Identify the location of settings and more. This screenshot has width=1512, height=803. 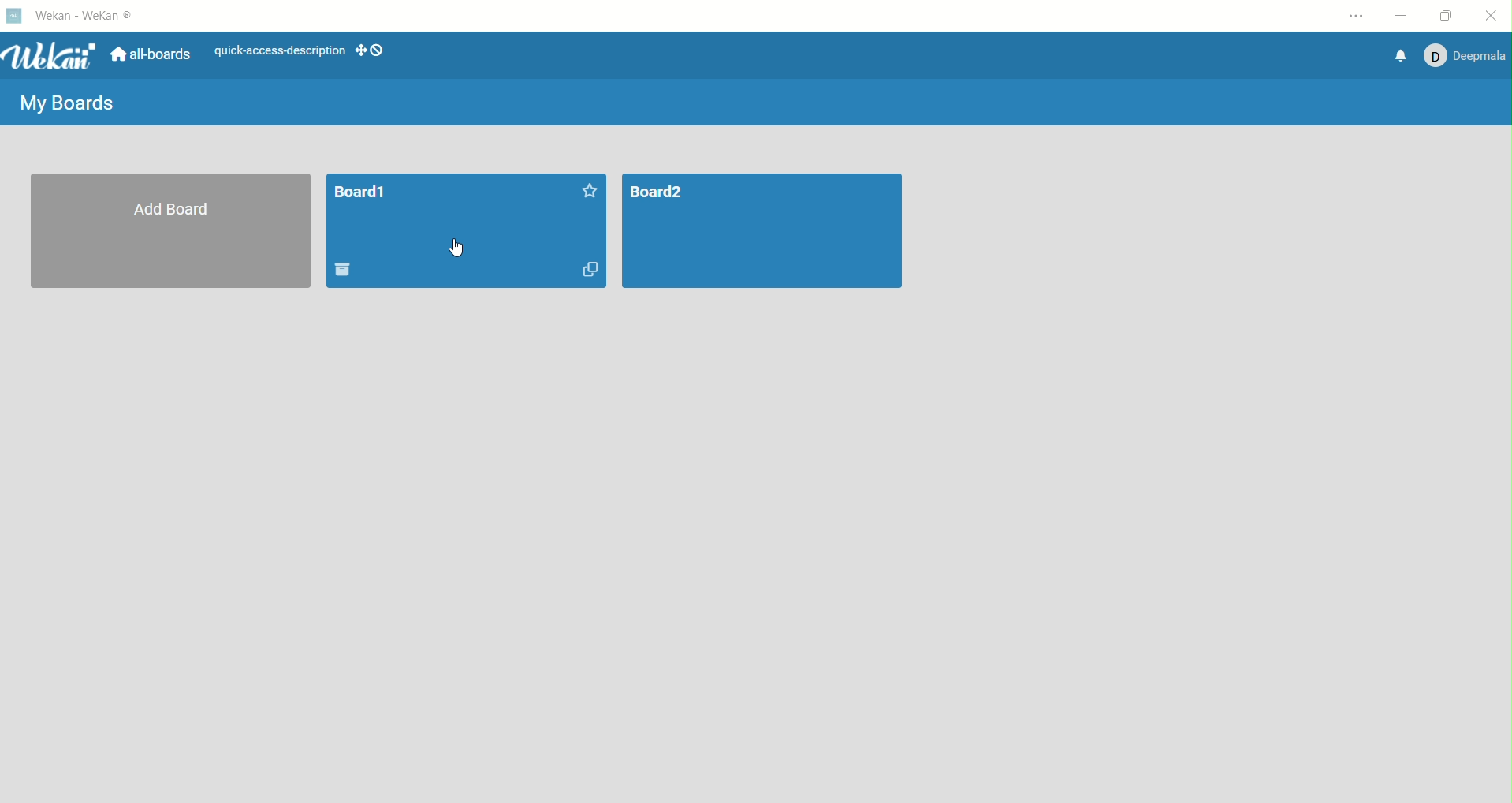
(1356, 16).